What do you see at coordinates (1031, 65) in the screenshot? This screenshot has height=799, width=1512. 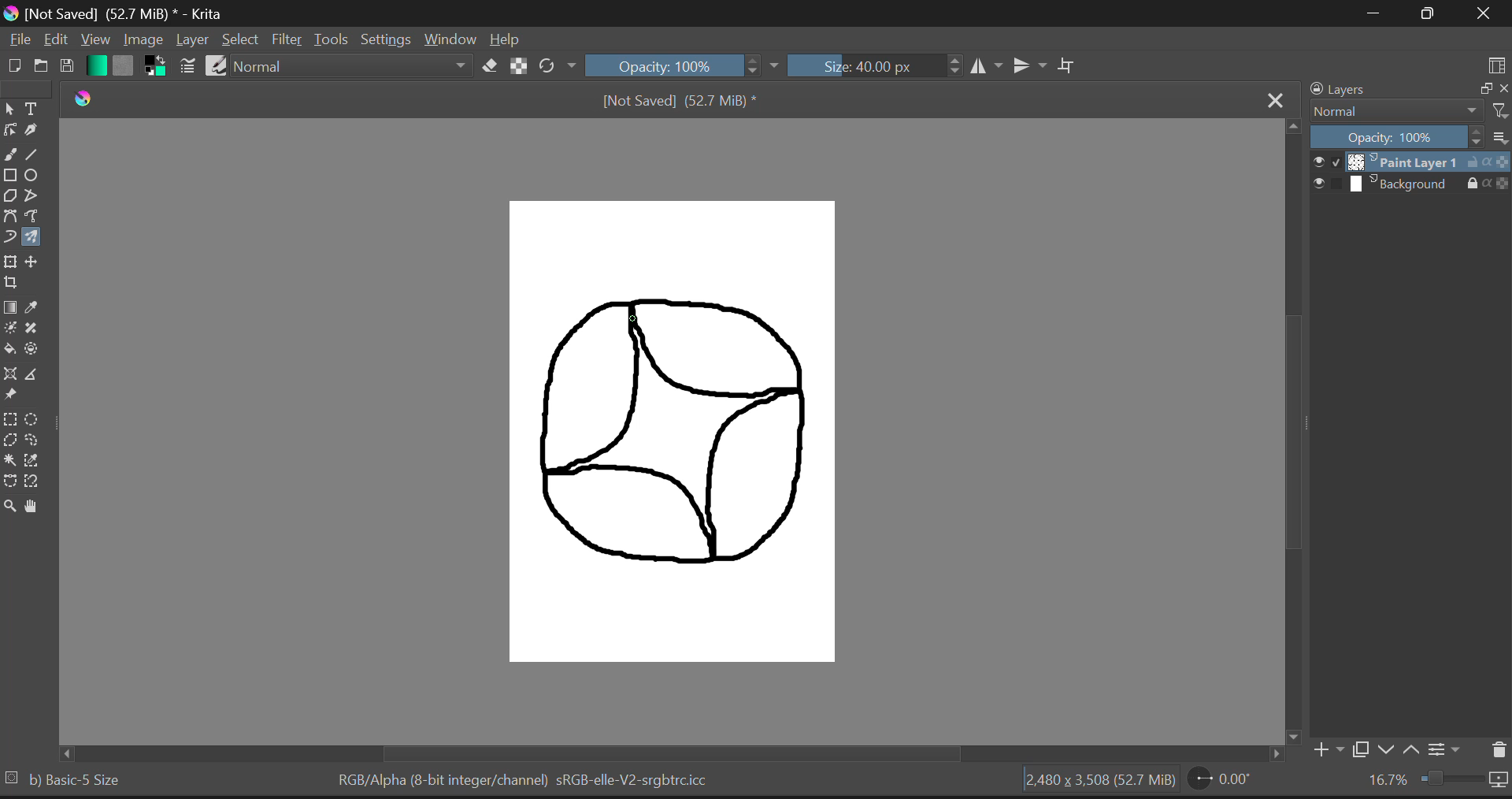 I see `Horizontal Mirror Flip` at bounding box center [1031, 65].